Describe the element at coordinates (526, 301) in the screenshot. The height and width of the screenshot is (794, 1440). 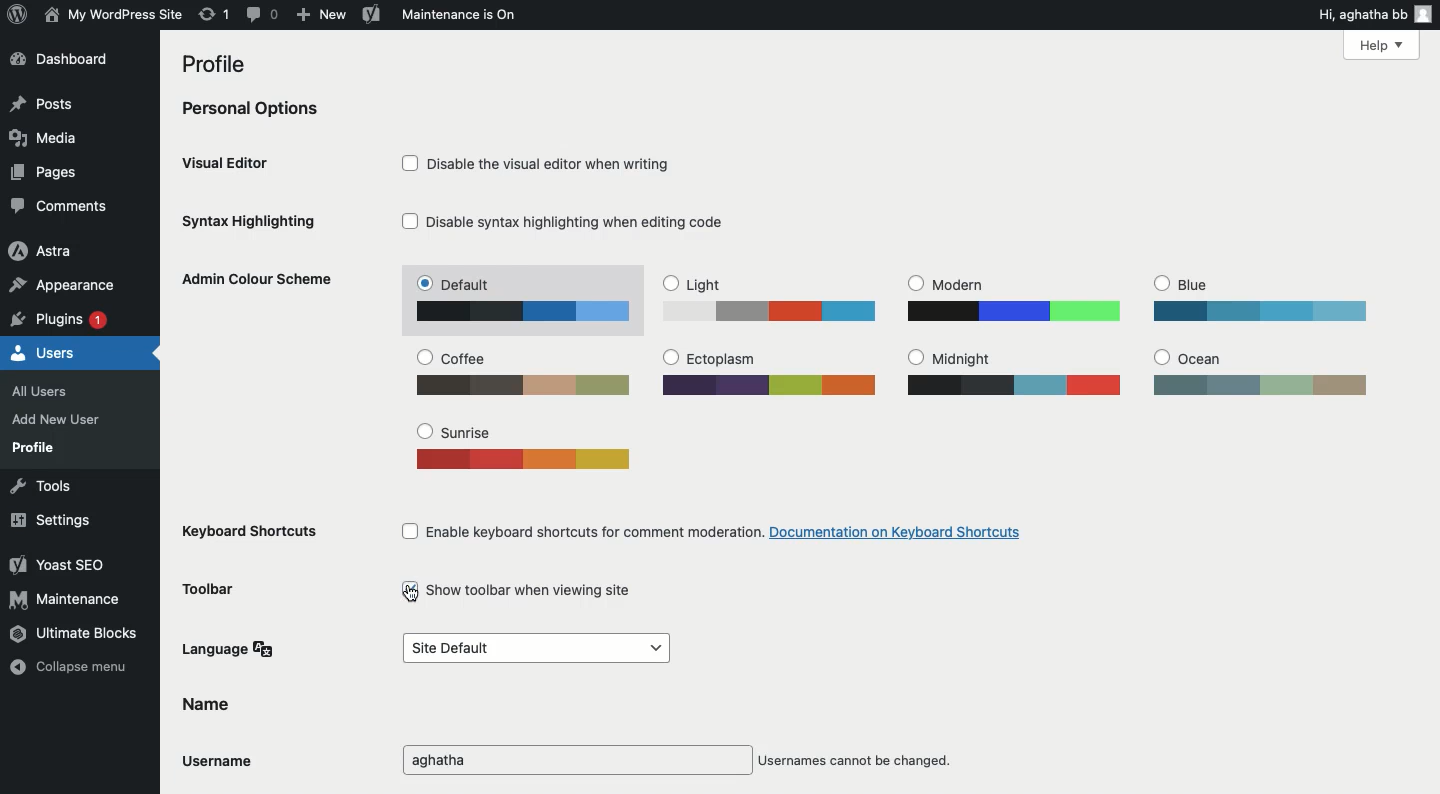
I see `Default` at that location.